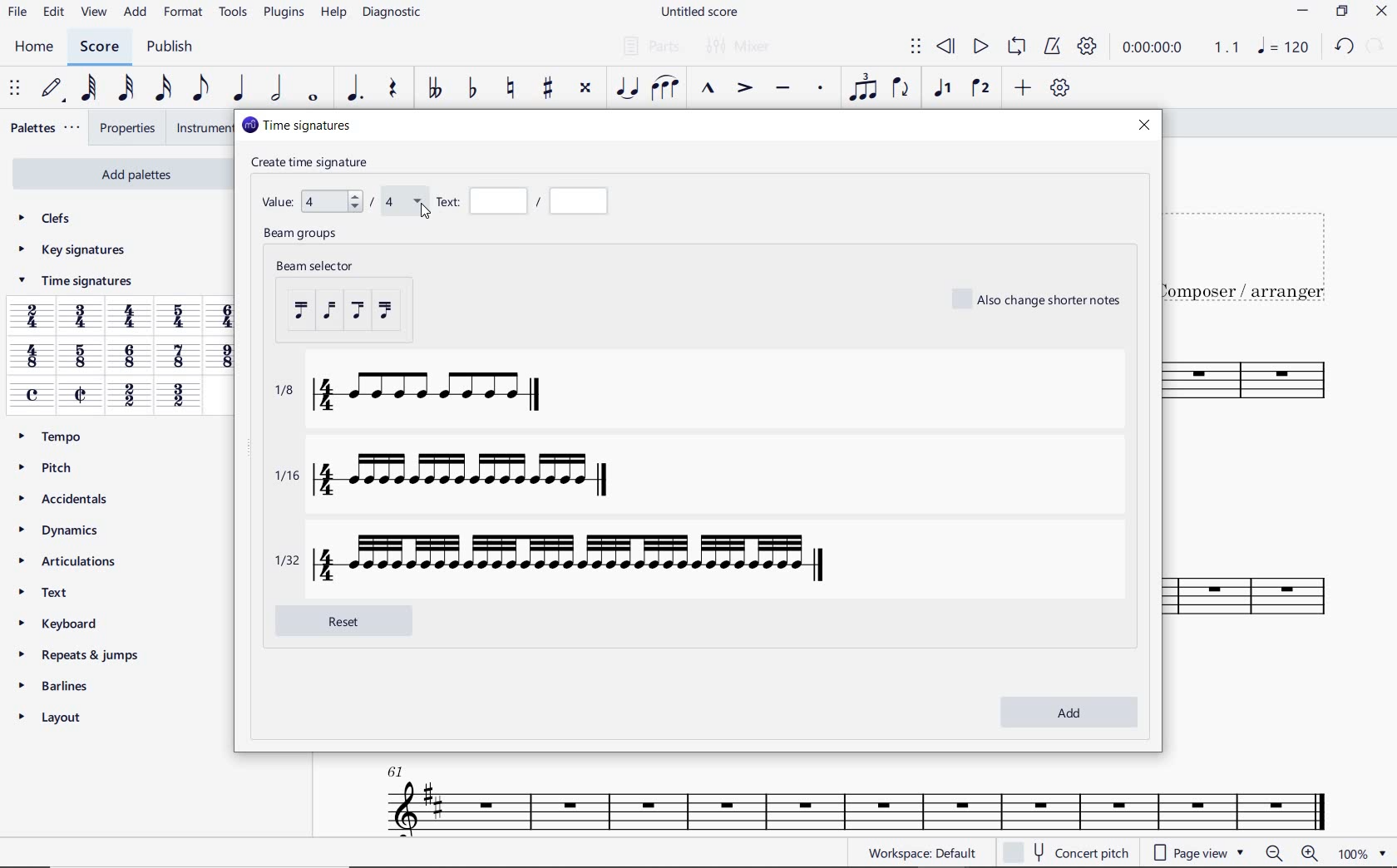 This screenshot has height=868, width=1397. Describe the element at coordinates (650, 46) in the screenshot. I see `PARTS` at that location.